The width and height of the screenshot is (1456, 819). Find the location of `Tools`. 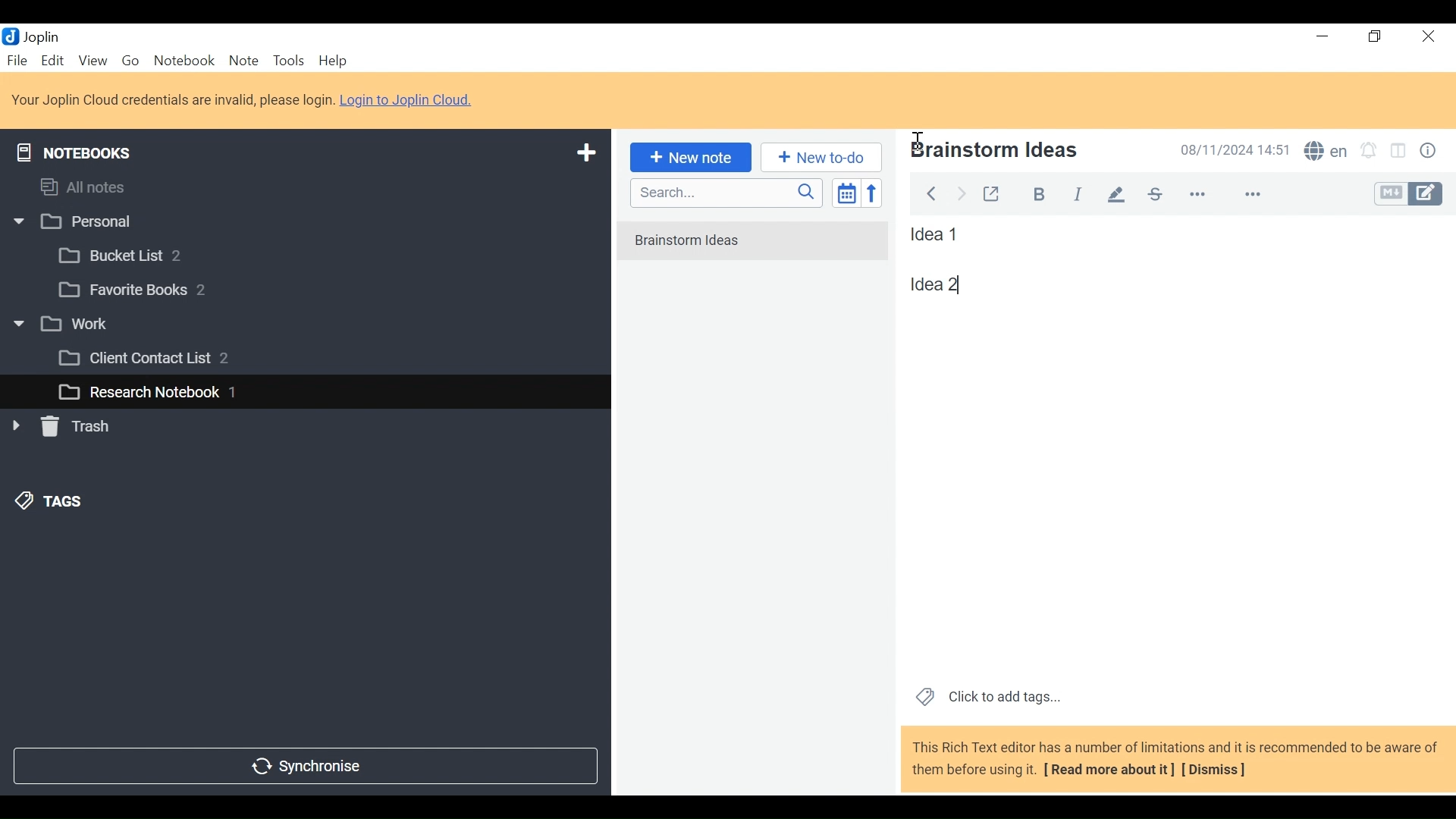

Tools is located at coordinates (287, 61).